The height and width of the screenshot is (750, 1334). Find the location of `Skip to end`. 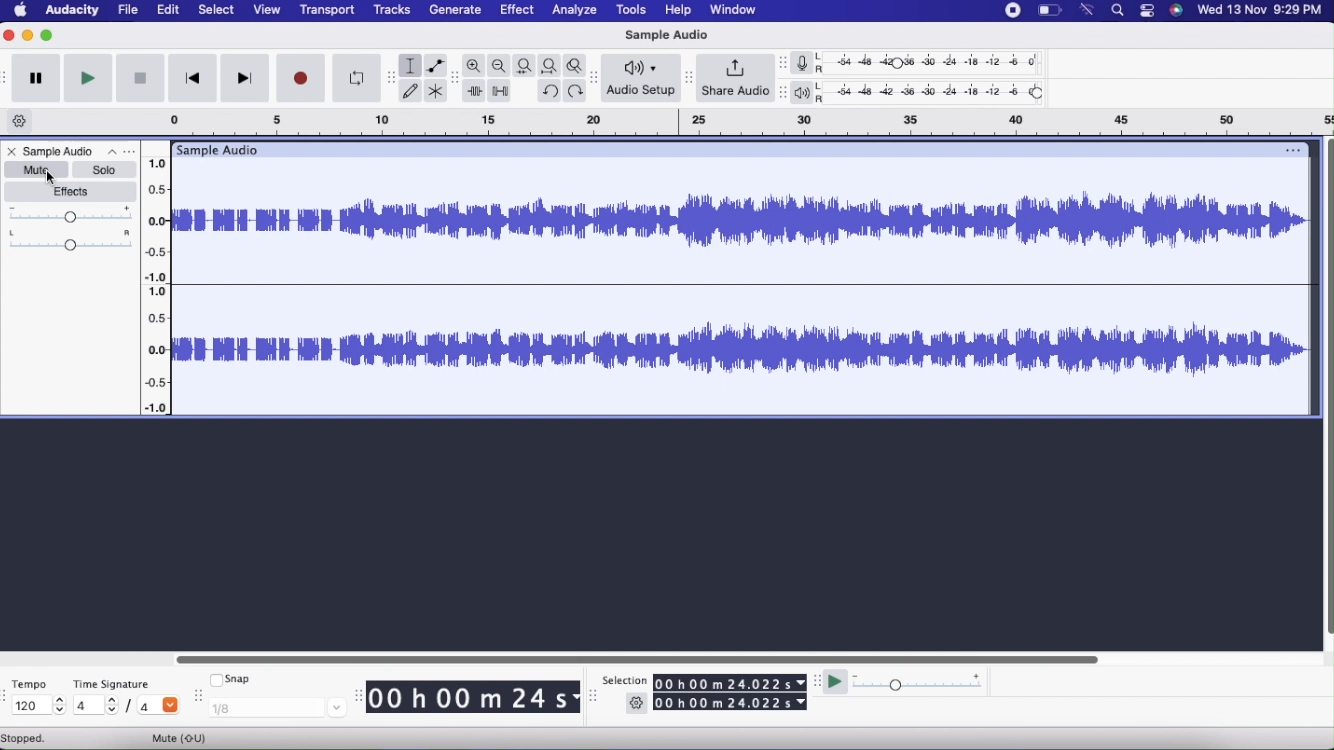

Skip to end is located at coordinates (244, 78).